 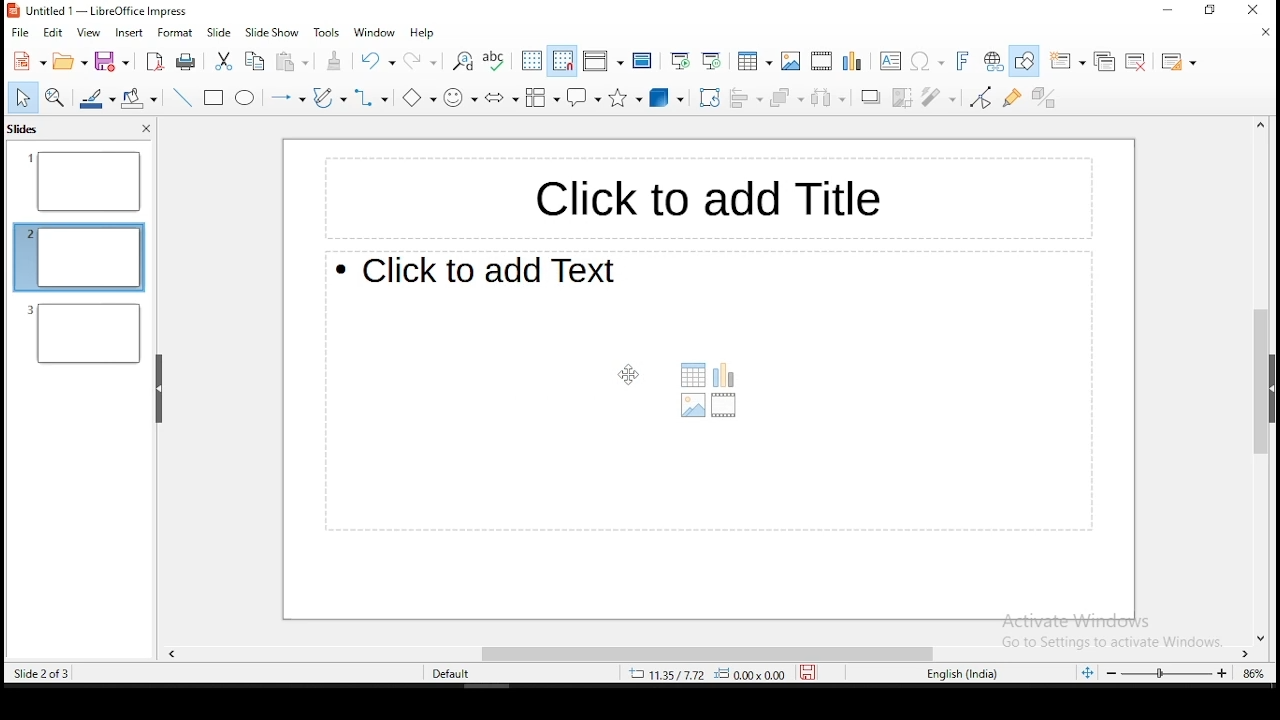 What do you see at coordinates (964, 60) in the screenshot?
I see `insert fontwork text` at bounding box center [964, 60].